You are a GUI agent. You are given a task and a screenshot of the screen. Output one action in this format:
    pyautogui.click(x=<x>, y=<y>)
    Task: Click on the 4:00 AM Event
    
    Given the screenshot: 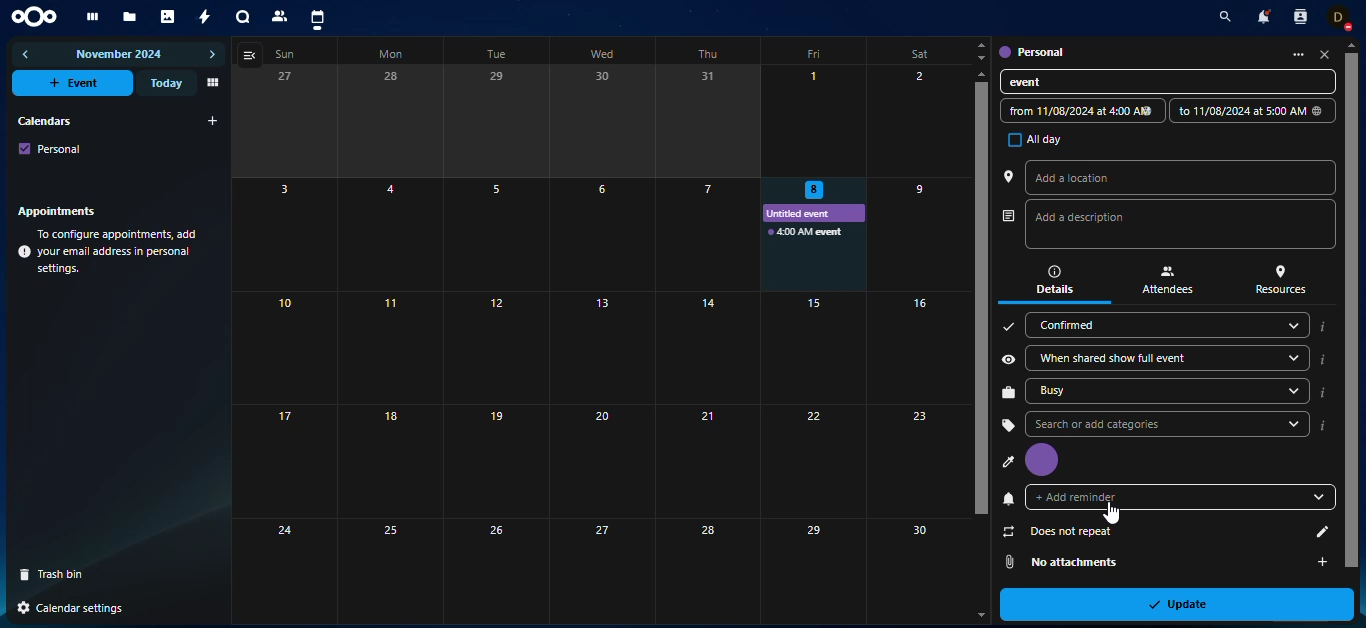 What is the action you would take?
    pyautogui.click(x=808, y=233)
    